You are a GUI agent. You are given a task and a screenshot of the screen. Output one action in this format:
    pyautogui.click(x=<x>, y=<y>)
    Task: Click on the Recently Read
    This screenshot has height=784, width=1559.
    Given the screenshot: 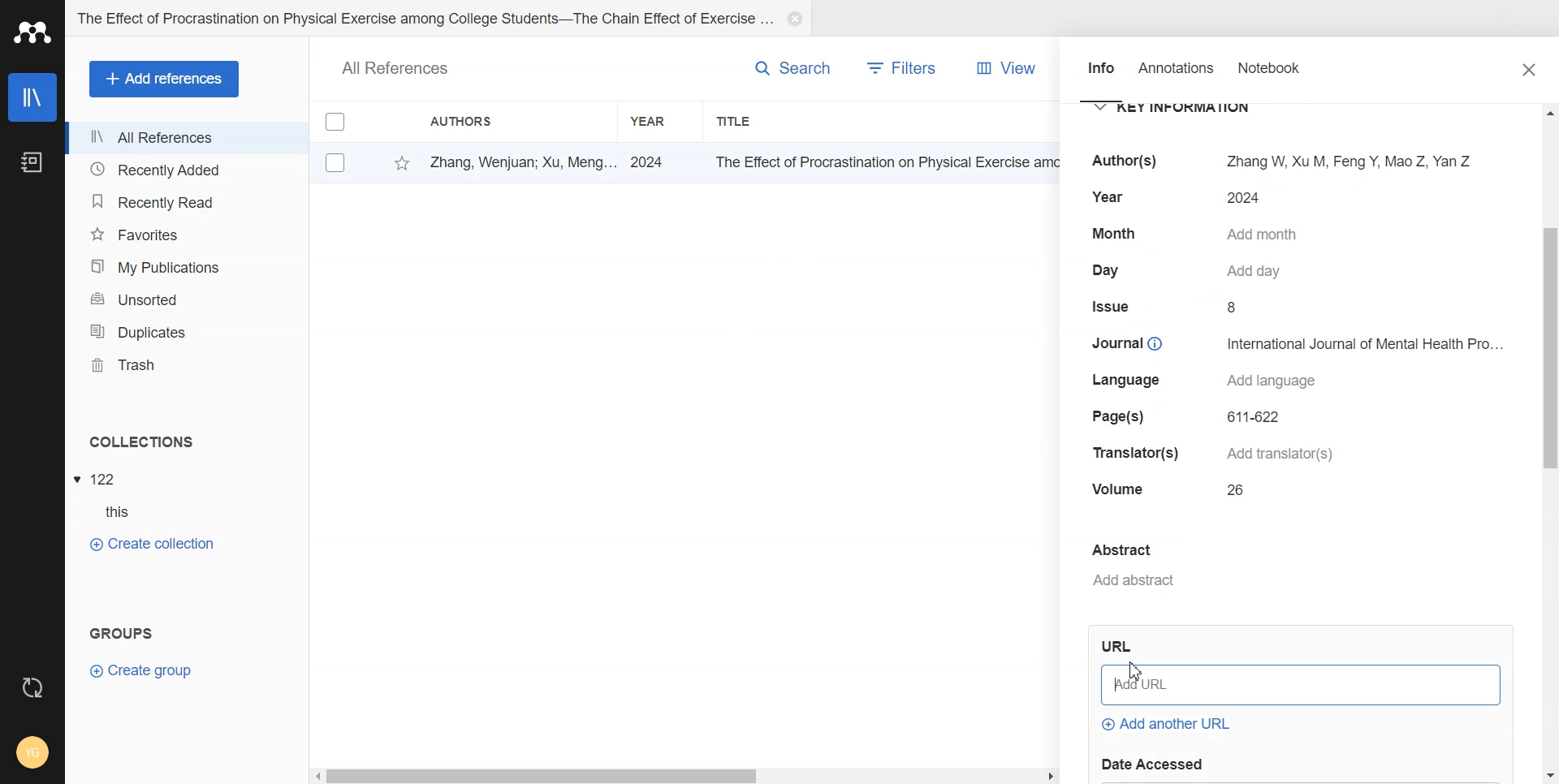 What is the action you would take?
    pyautogui.click(x=186, y=200)
    